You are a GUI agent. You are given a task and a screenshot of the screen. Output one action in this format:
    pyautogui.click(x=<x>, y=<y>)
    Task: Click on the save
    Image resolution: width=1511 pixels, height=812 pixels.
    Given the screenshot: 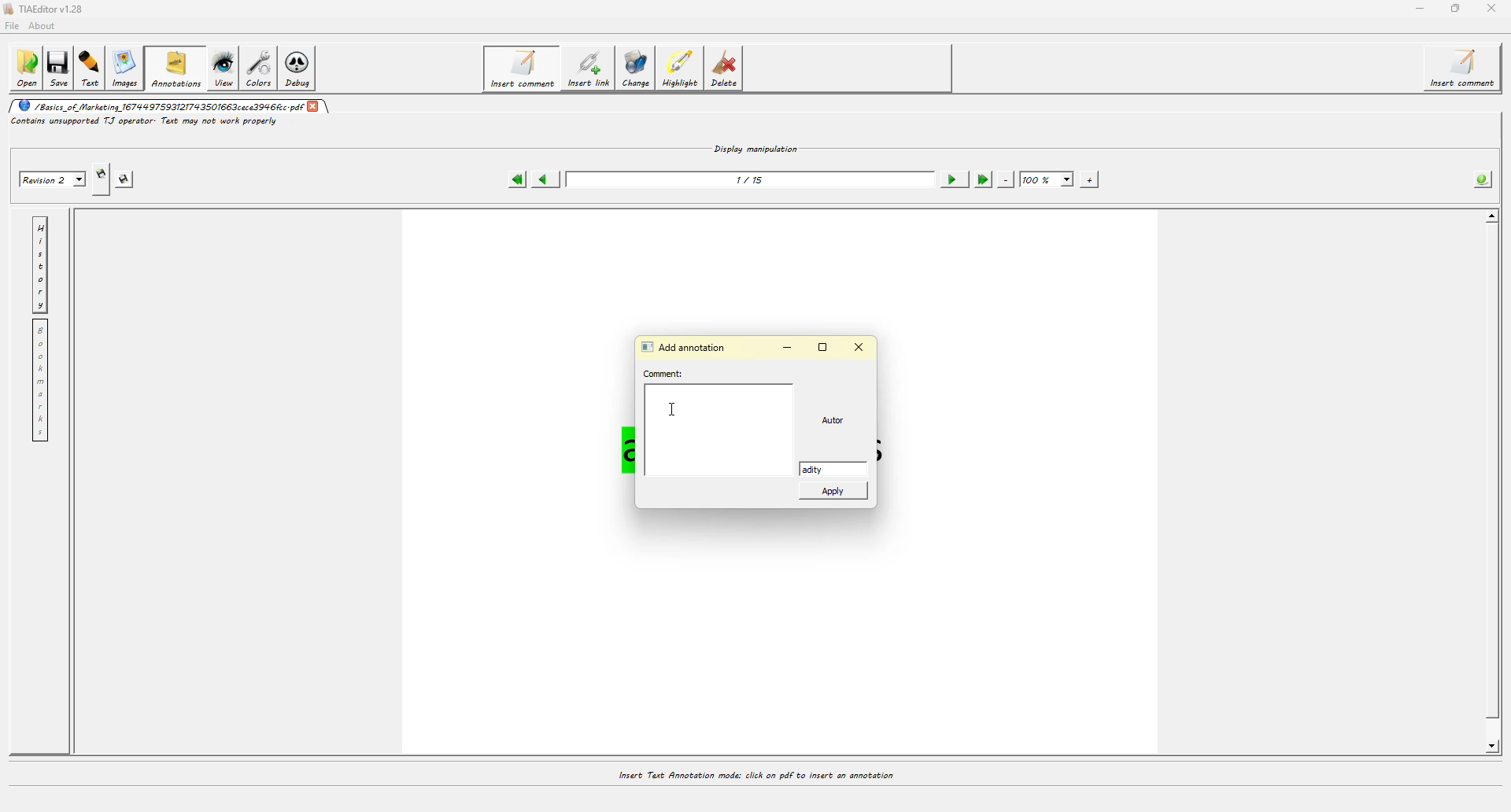 What is the action you would take?
    pyautogui.click(x=61, y=65)
    